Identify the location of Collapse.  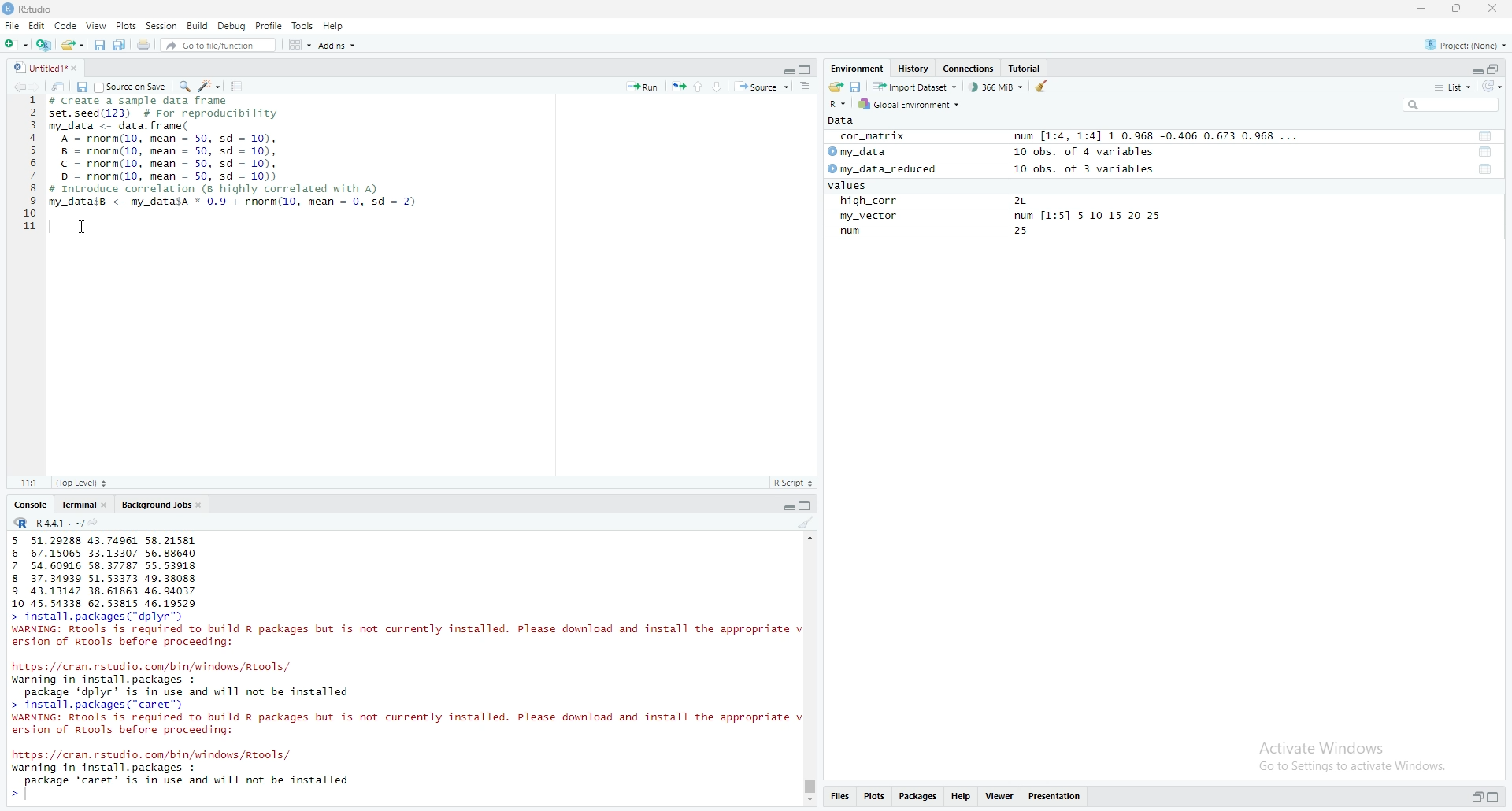
(786, 508).